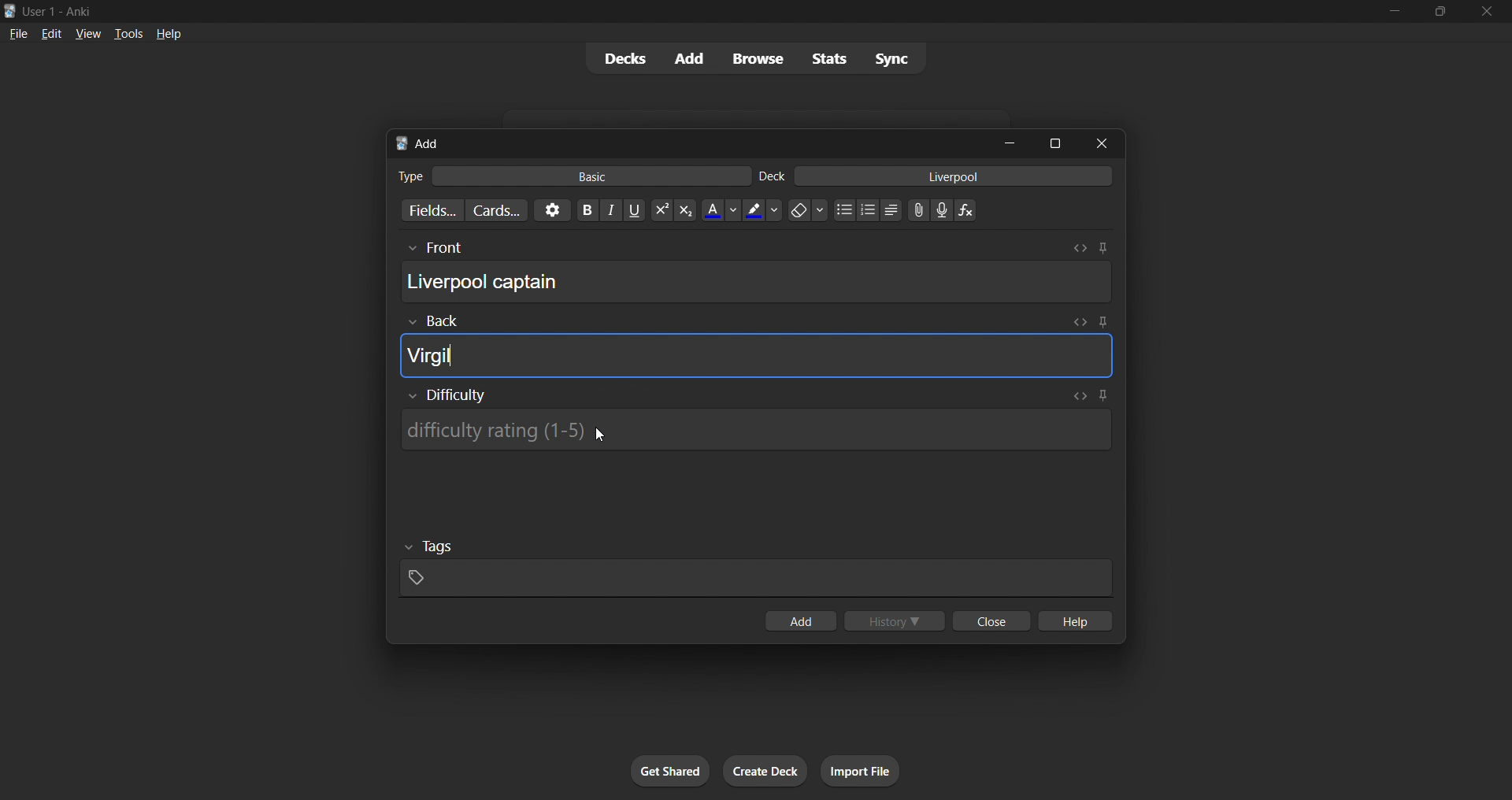  I want to click on file, so click(18, 32).